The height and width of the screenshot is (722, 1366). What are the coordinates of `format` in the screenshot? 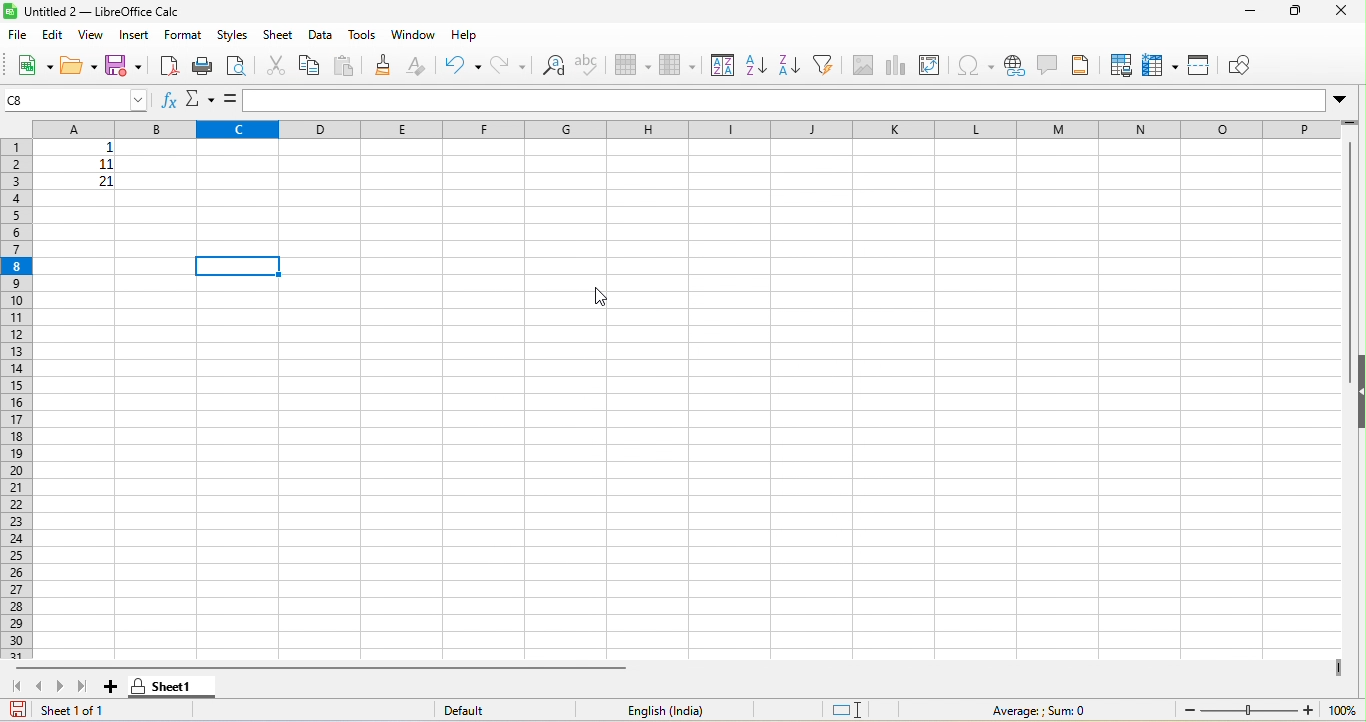 It's located at (184, 36).